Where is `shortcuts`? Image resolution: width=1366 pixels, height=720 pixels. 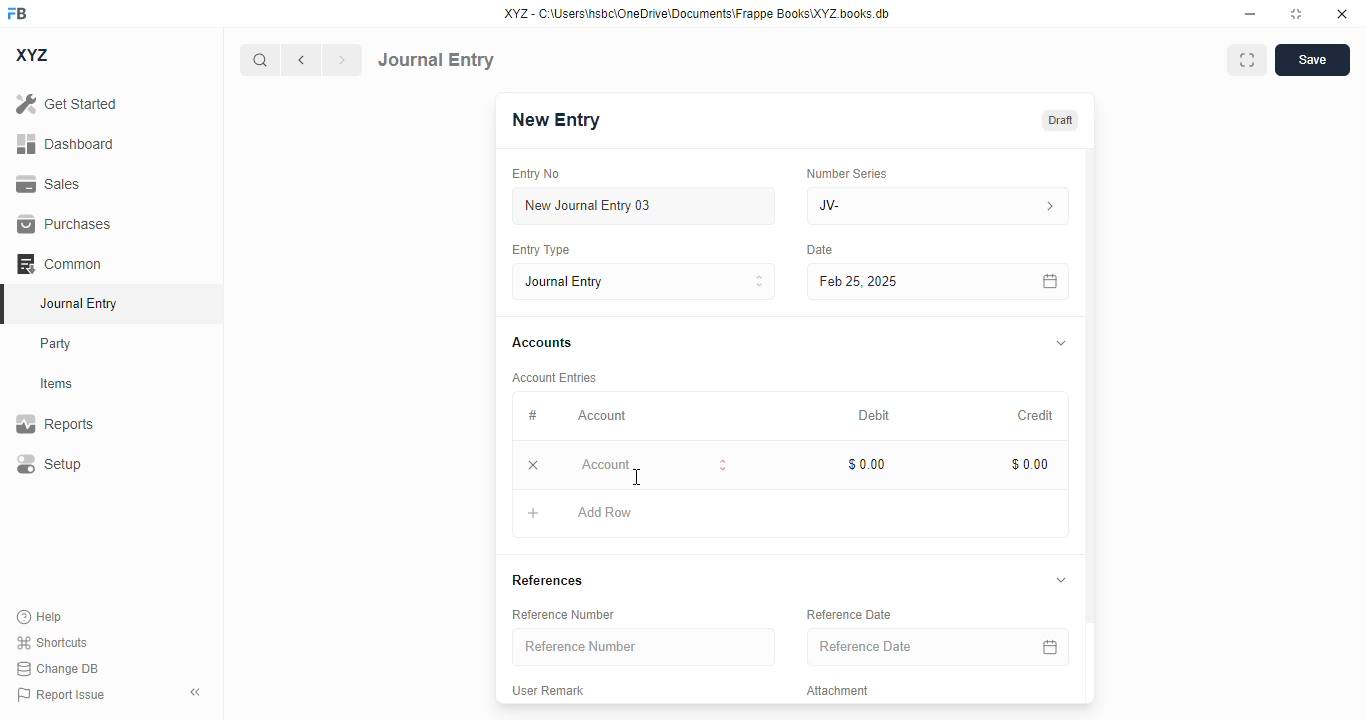
shortcuts is located at coordinates (51, 642).